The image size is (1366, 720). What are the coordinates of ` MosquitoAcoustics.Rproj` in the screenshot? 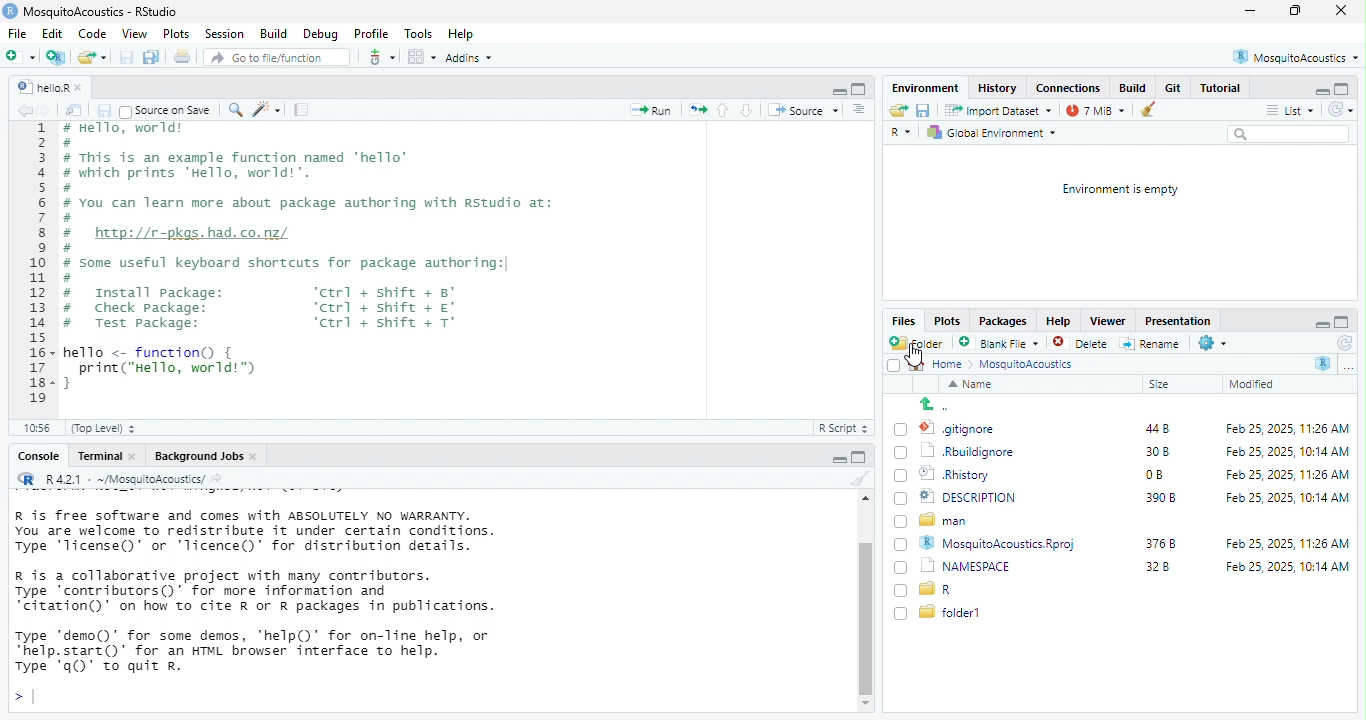 It's located at (1005, 543).